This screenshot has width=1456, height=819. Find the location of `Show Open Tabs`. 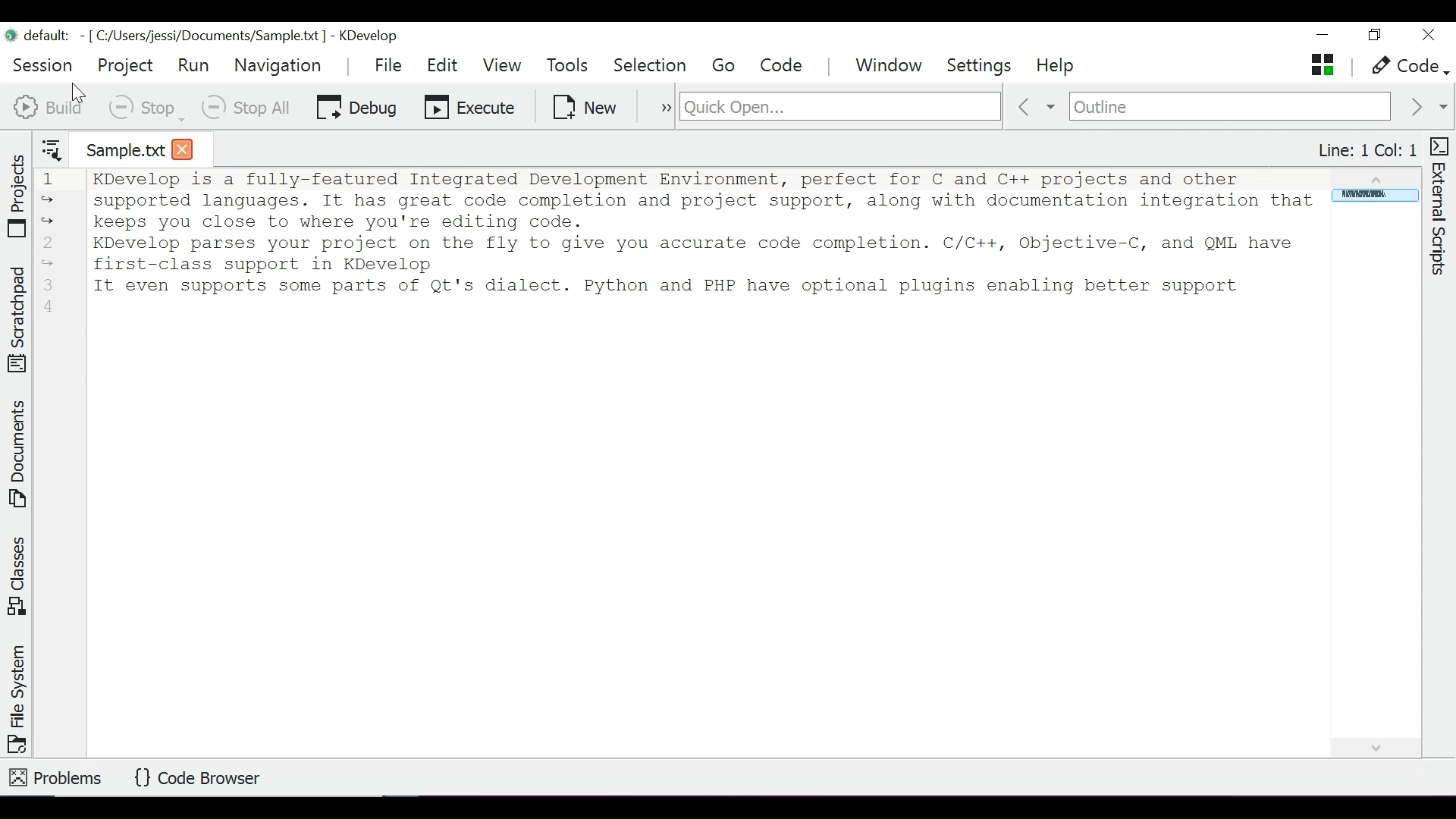

Show Open Tabs is located at coordinates (1325, 64).